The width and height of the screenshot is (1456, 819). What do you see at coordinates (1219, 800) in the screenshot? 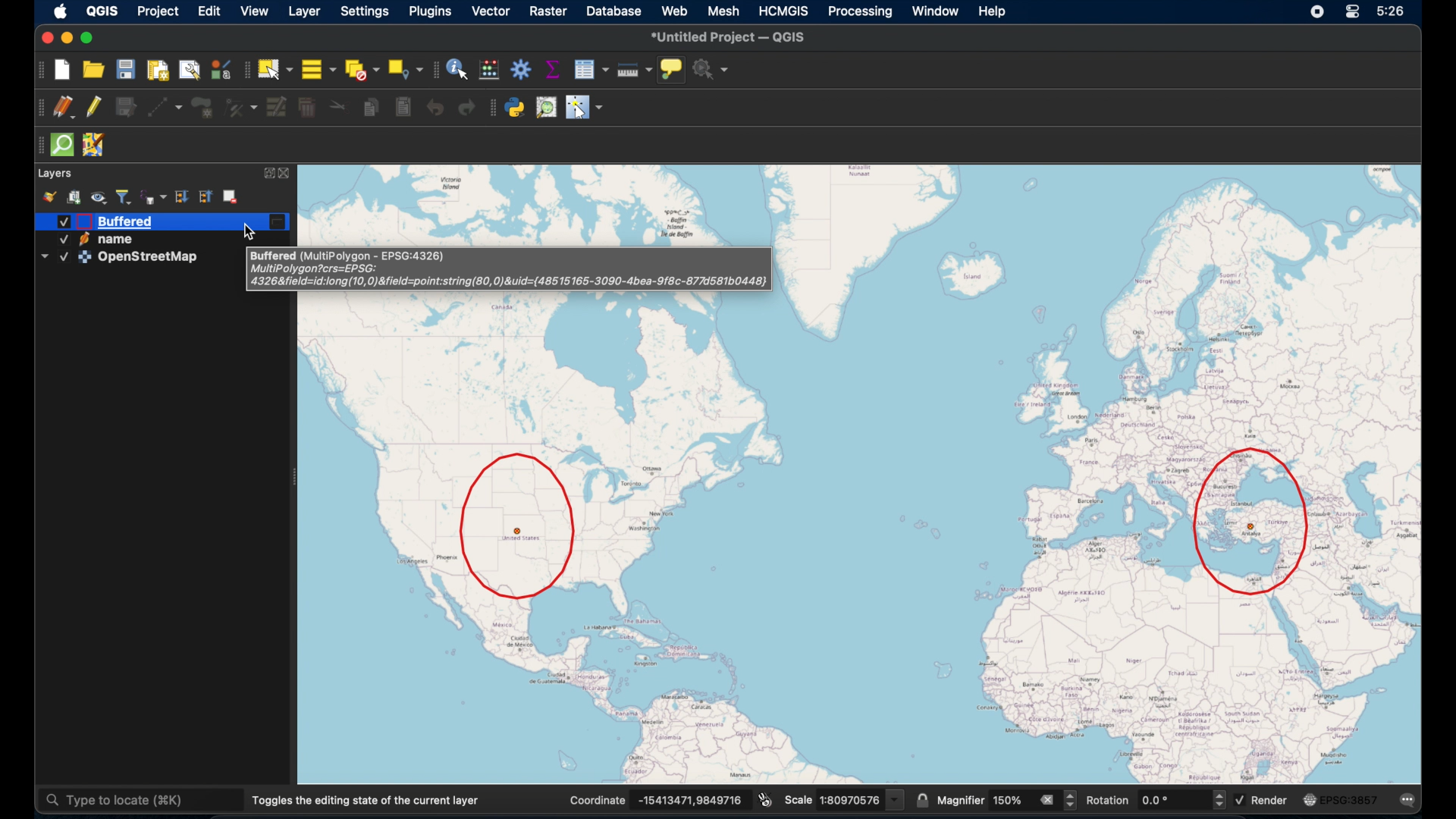
I see `increase or decrease rotation value` at bounding box center [1219, 800].